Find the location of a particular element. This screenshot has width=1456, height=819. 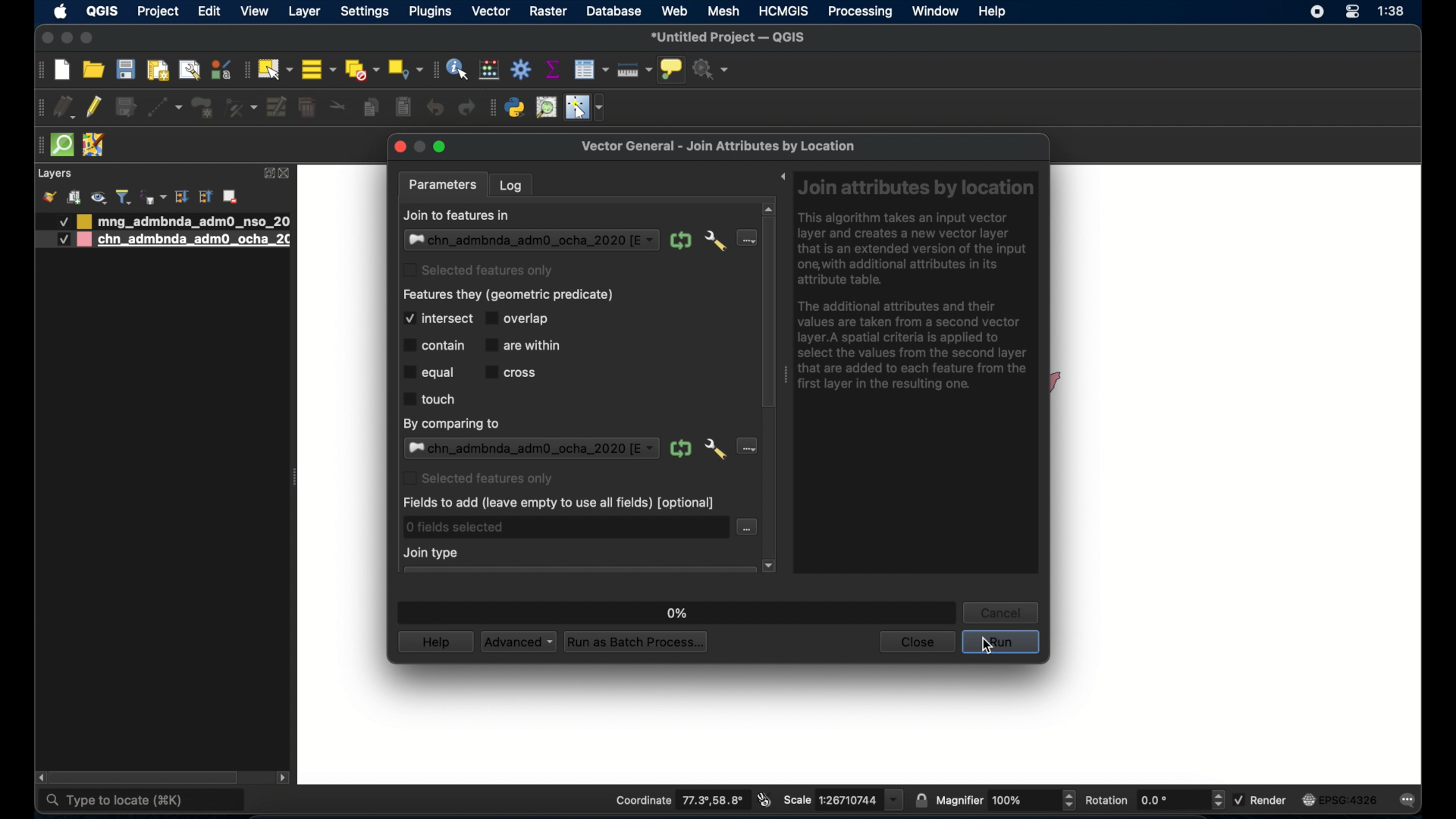

open layer styling panel is located at coordinates (49, 197).